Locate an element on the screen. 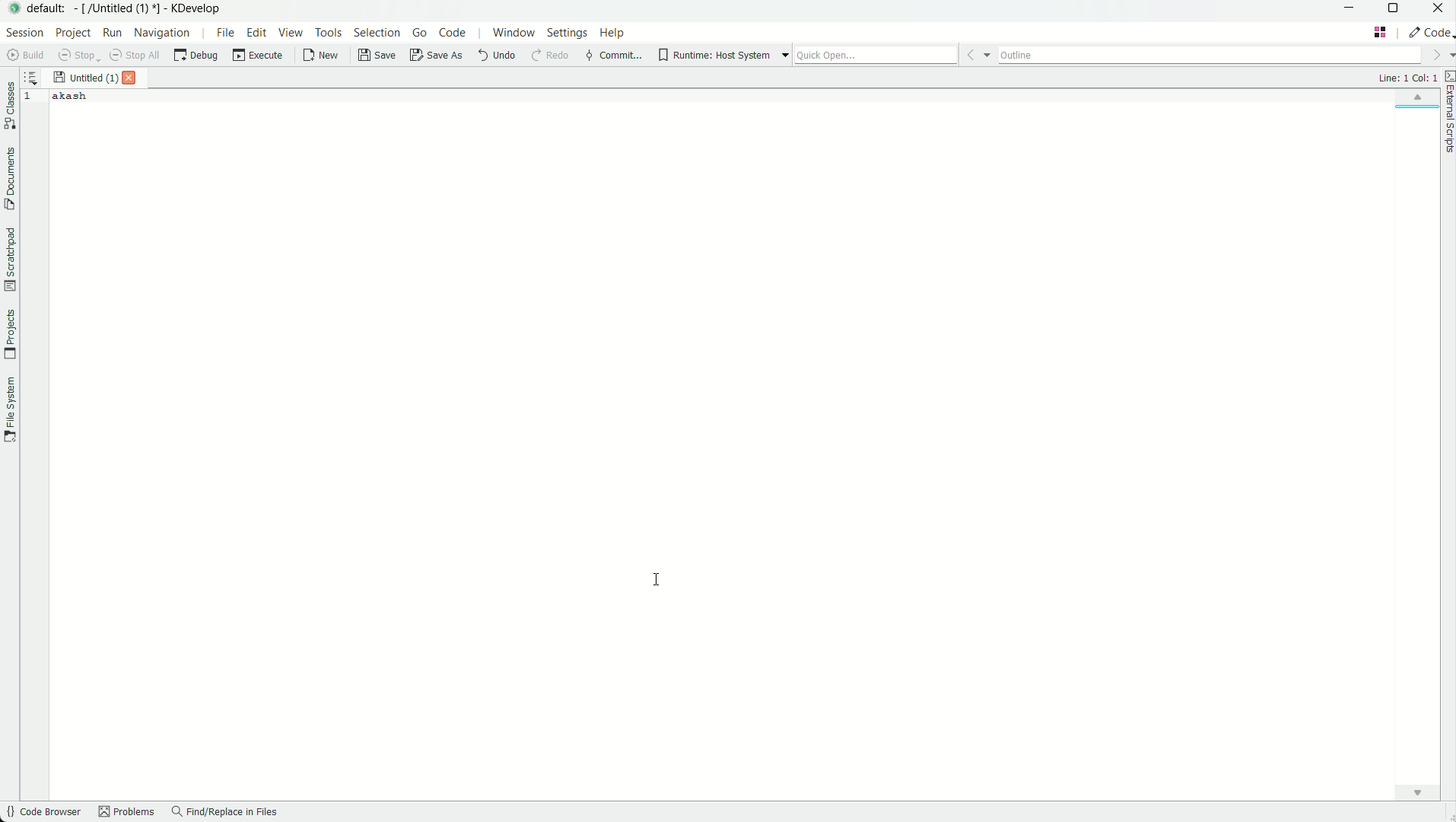 The width and height of the screenshot is (1456, 822). code browser is located at coordinates (42, 813).